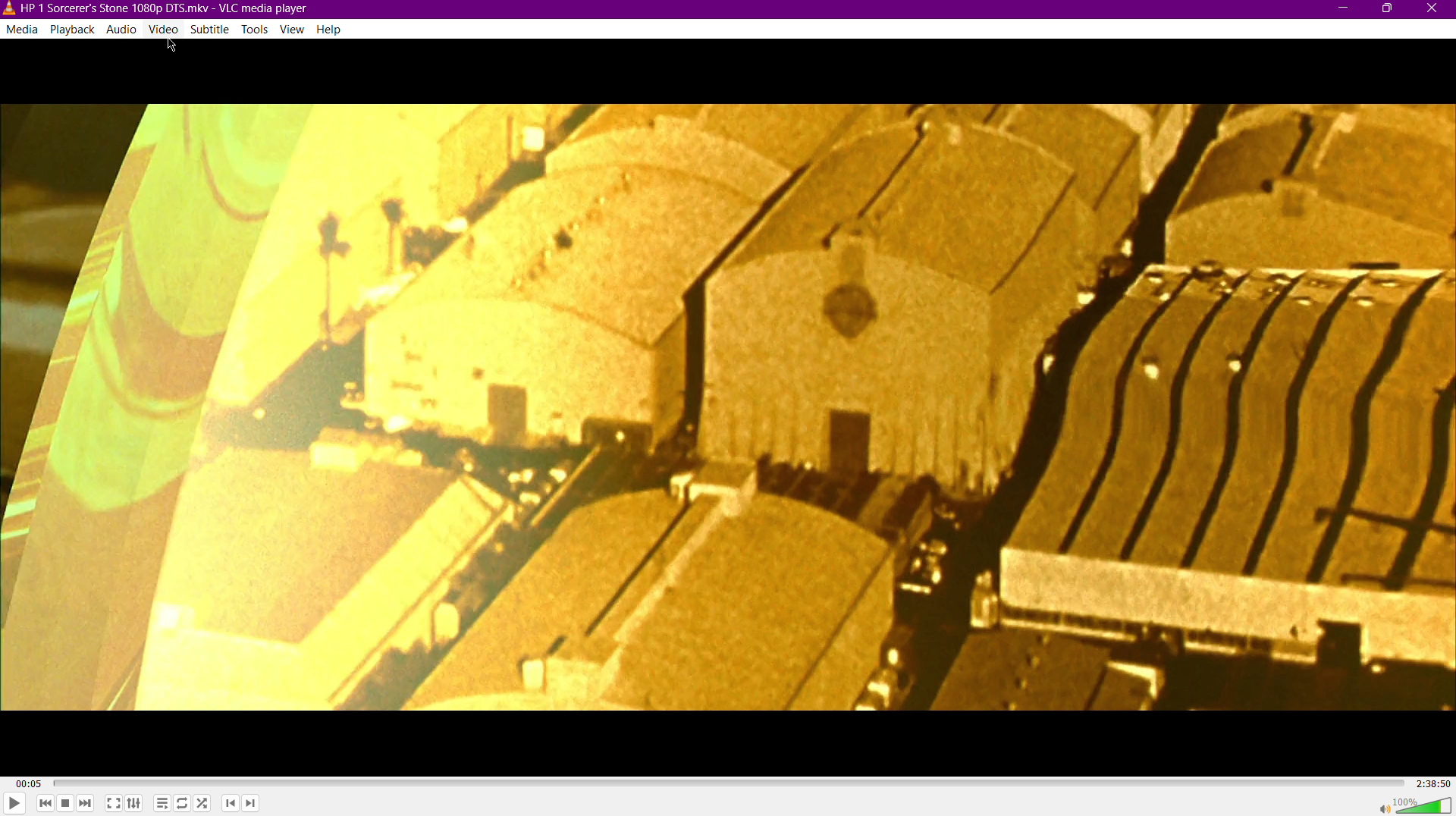 Image resolution: width=1456 pixels, height=816 pixels. I want to click on Skip Back, so click(44, 804).